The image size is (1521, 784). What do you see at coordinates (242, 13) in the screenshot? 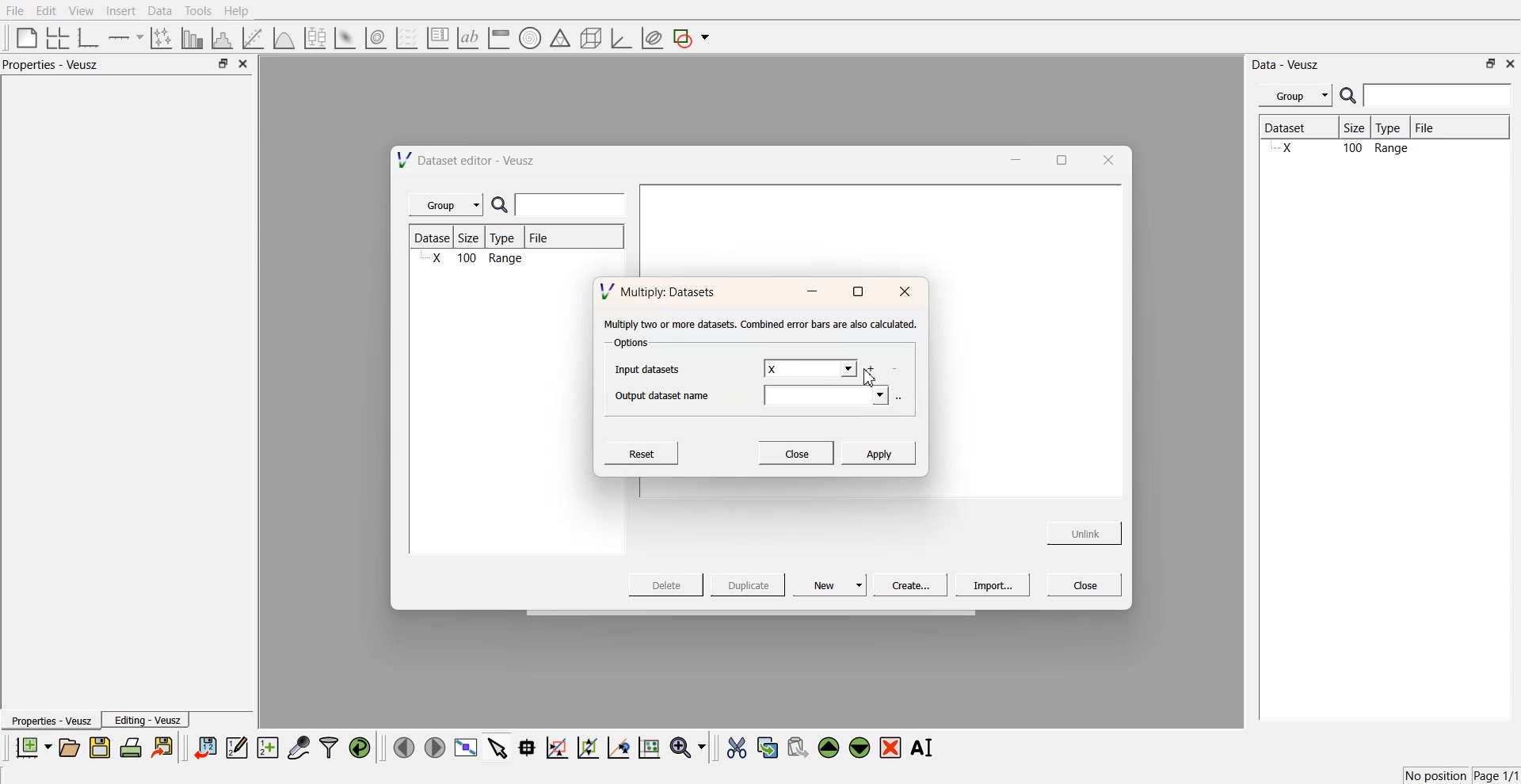
I see `Help` at bounding box center [242, 13].